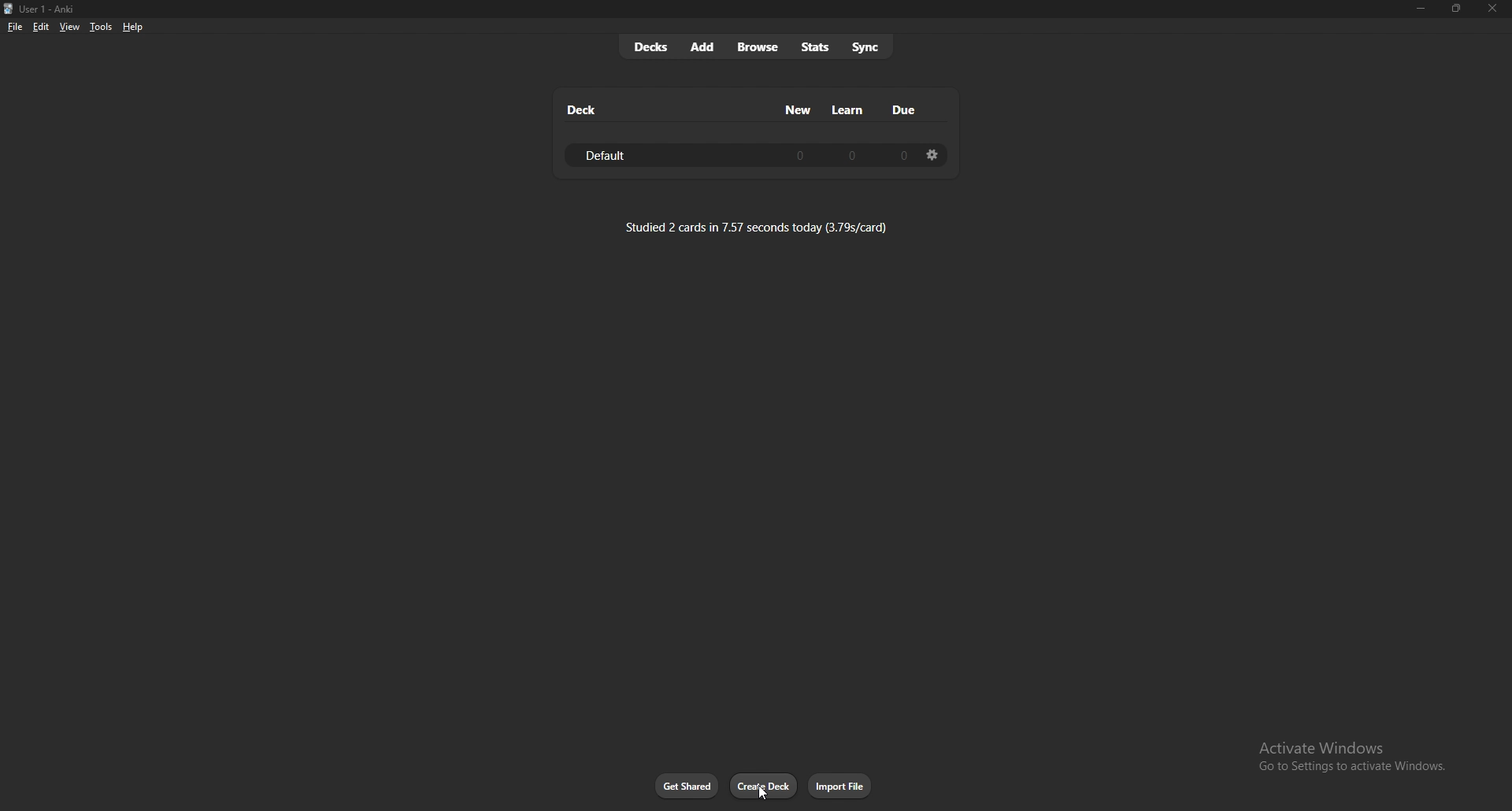 The height and width of the screenshot is (811, 1512). I want to click on 0, so click(853, 154).